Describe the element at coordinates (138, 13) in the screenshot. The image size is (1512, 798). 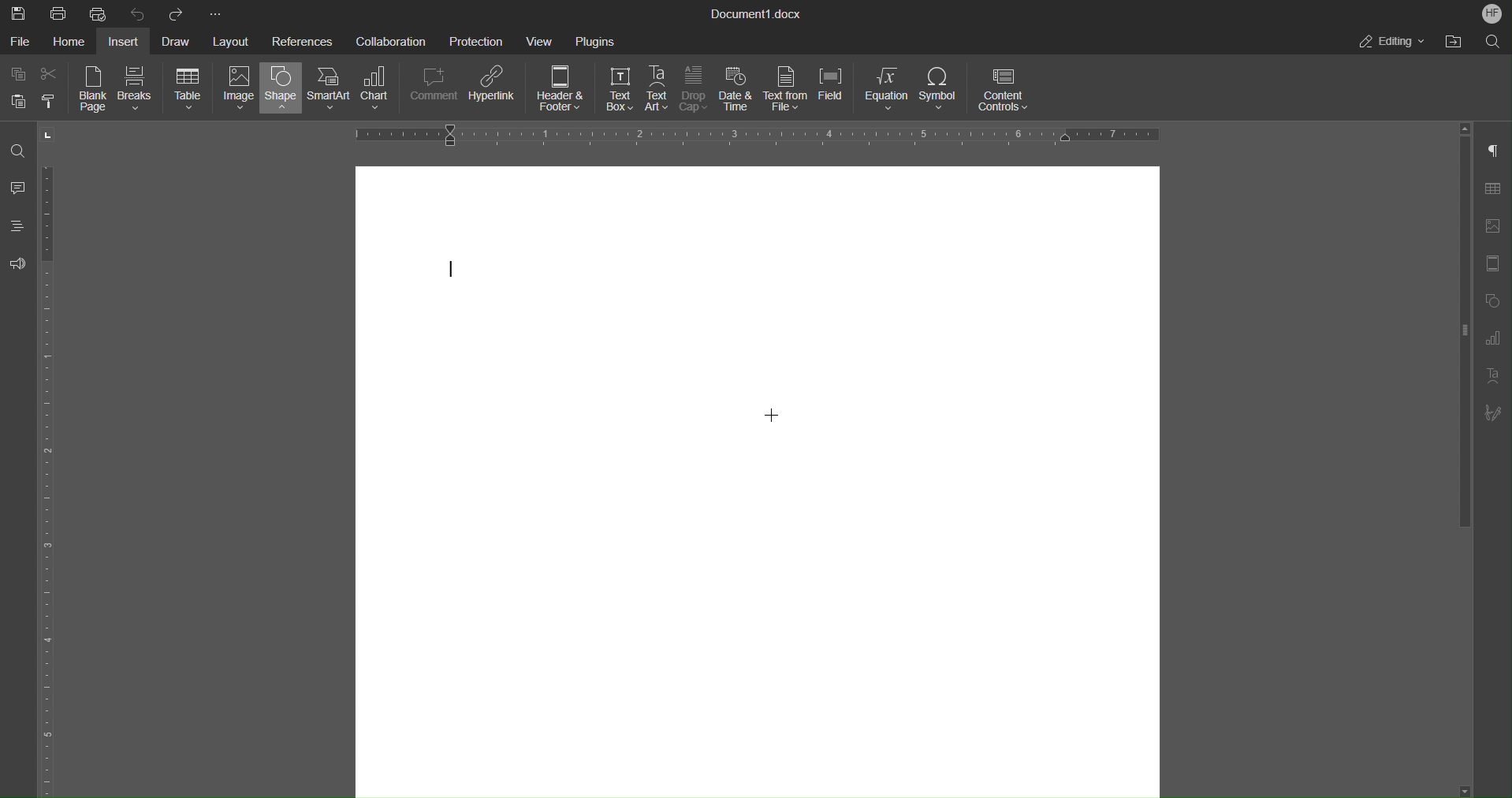
I see `Undo` at that location.